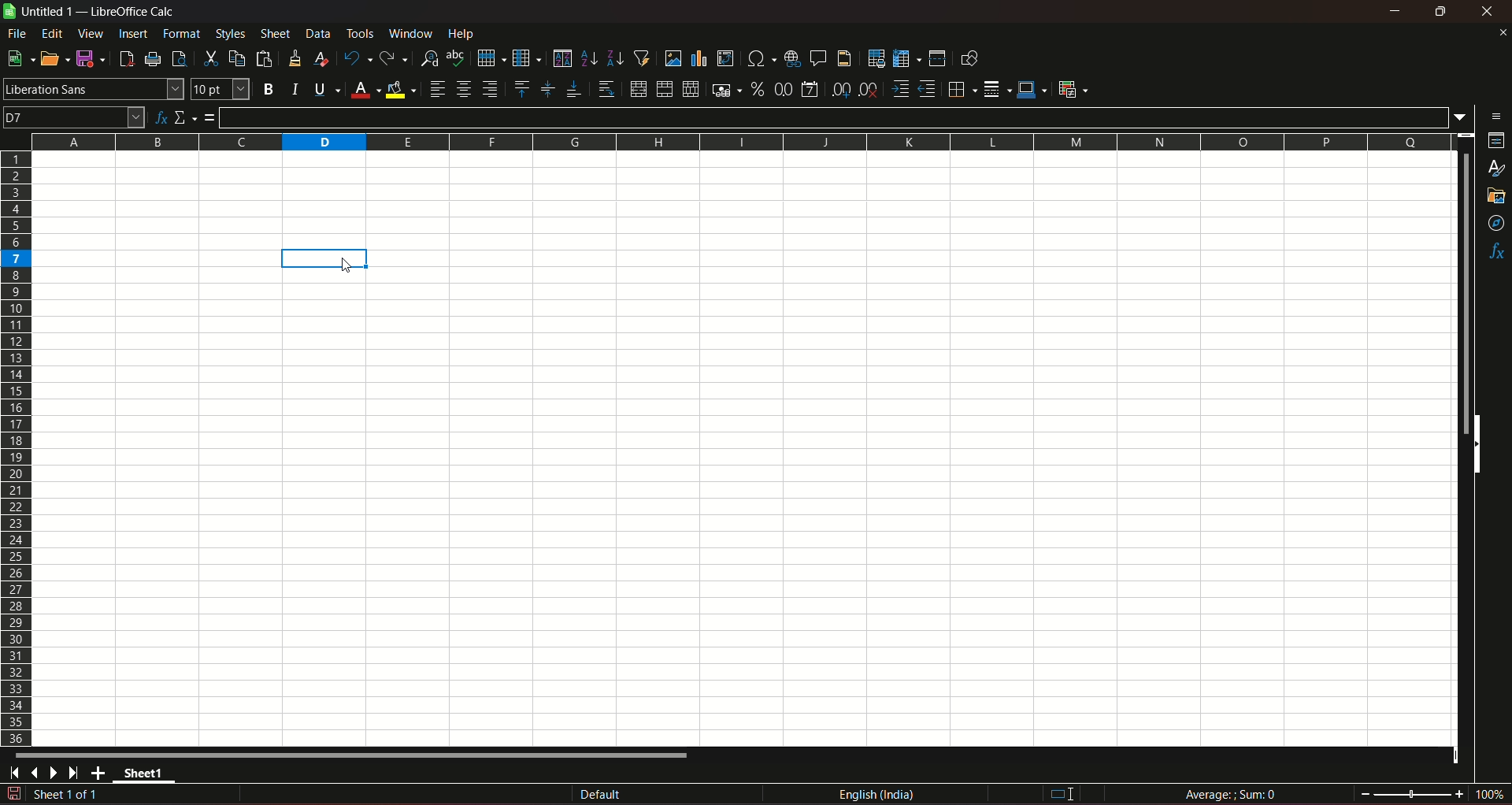 The width and height of the screenshot is (1512, 805). What do you see at coordinates (132, 32) in the screenshot?
I see `insert` at bounding box center [132, 32].